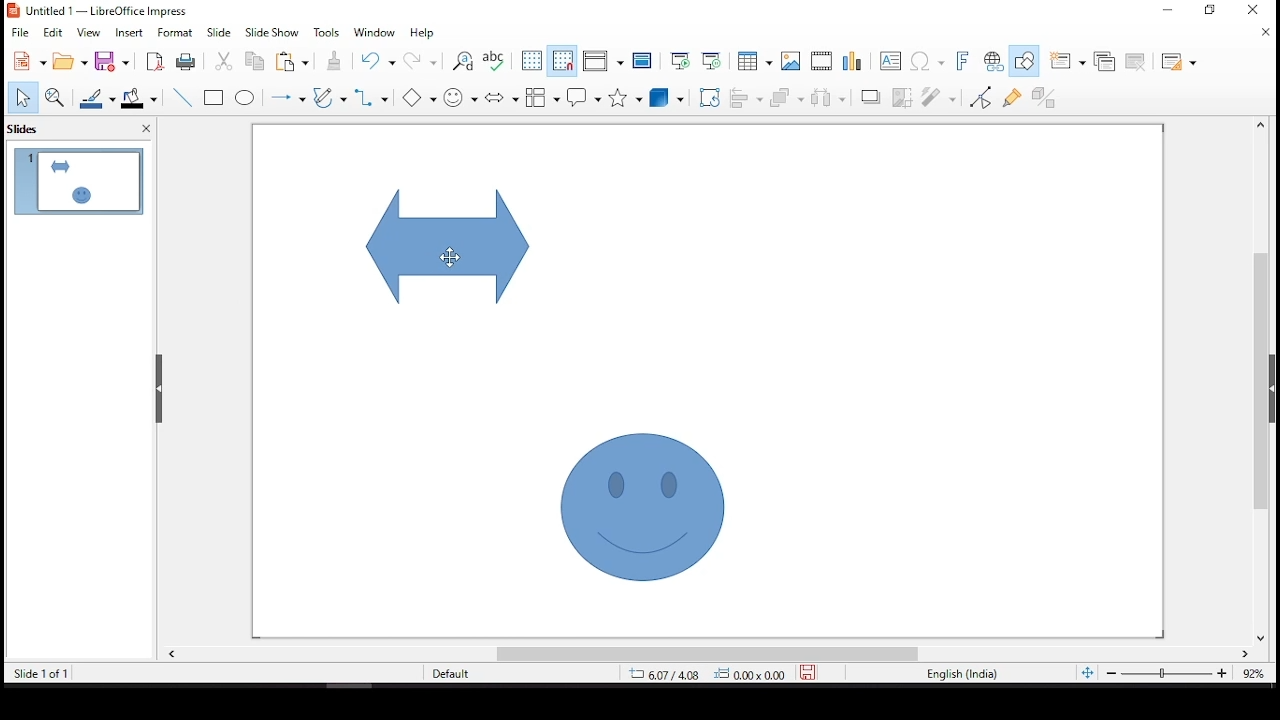 This screenshot has width=1280, height=720. I want to click on paste, so click(298, 63).